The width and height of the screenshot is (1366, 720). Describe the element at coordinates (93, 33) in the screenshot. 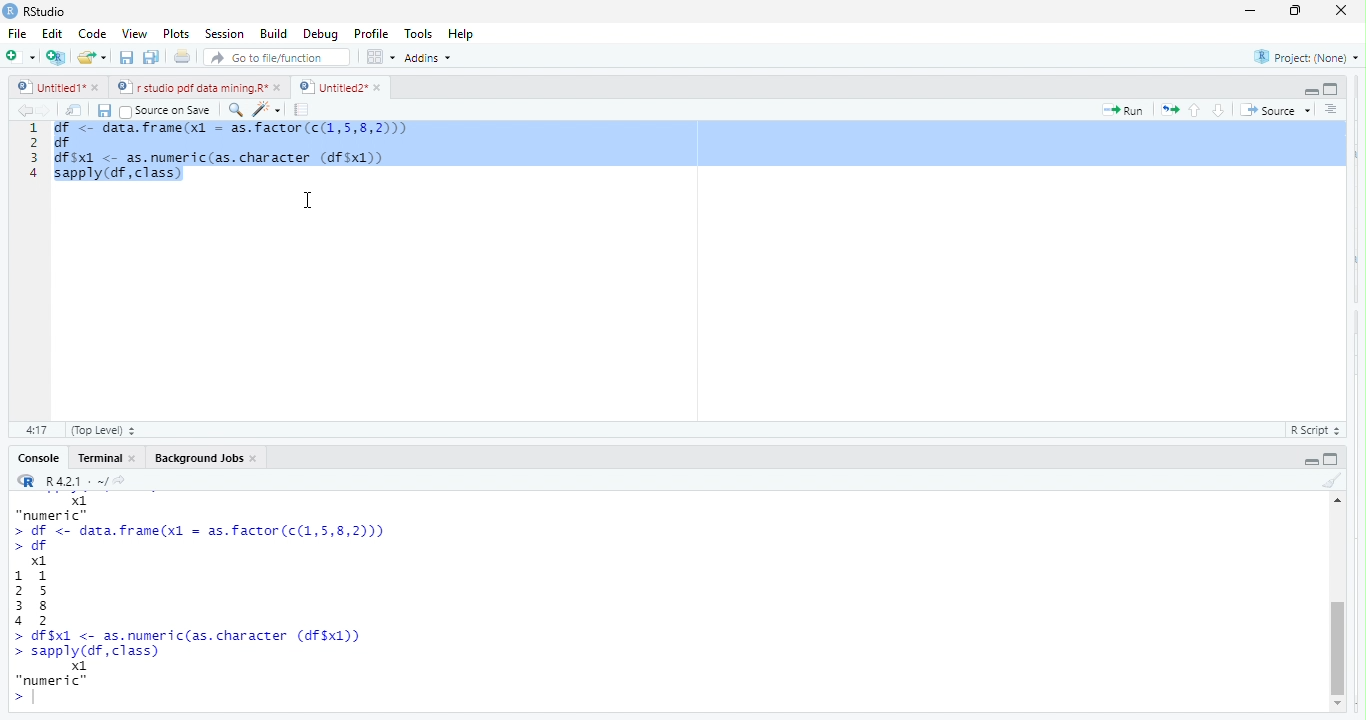

I see `Code` at that location.